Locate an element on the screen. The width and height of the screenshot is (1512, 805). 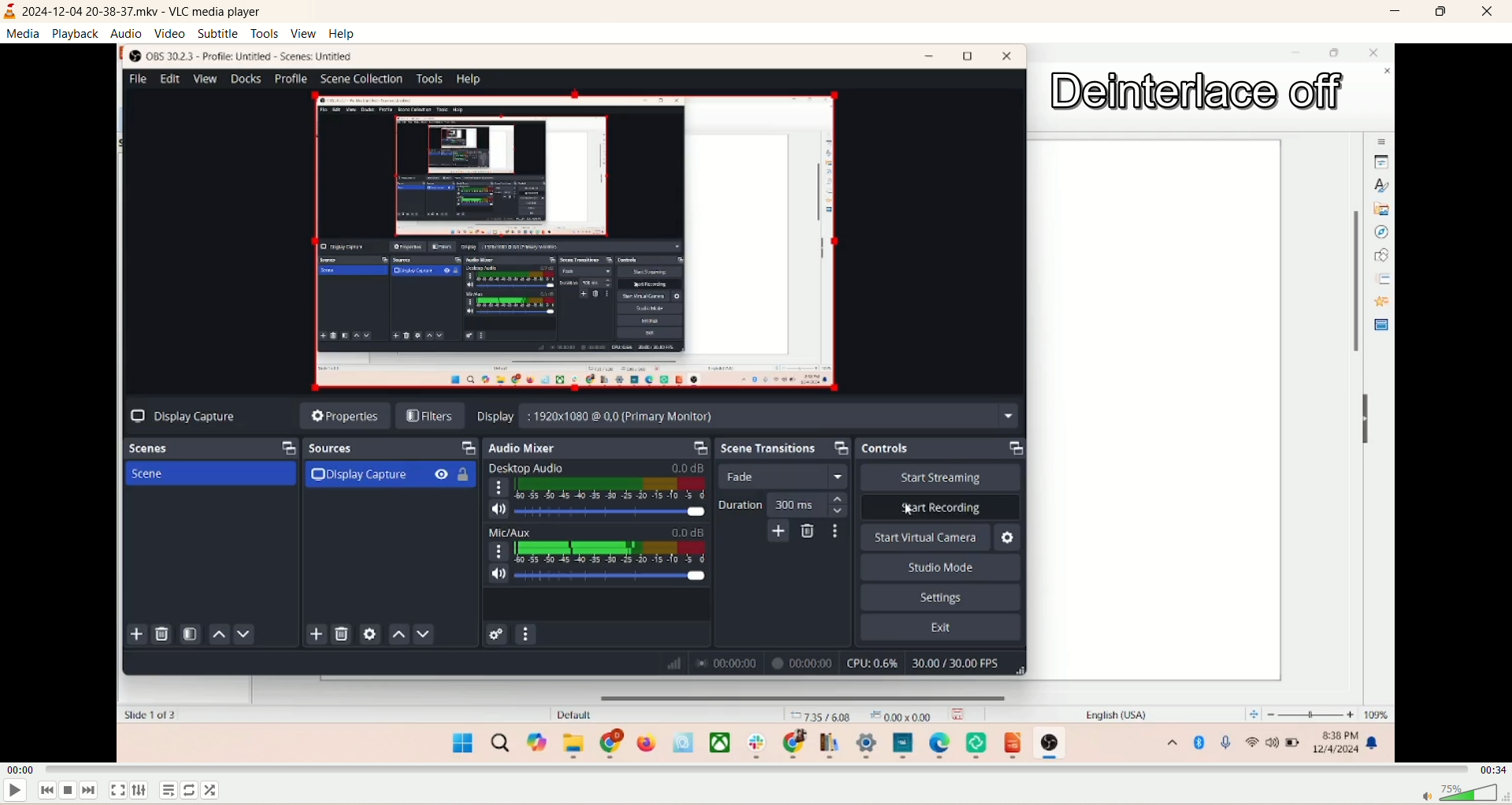
minimize is located at coordinates (1393, 13).